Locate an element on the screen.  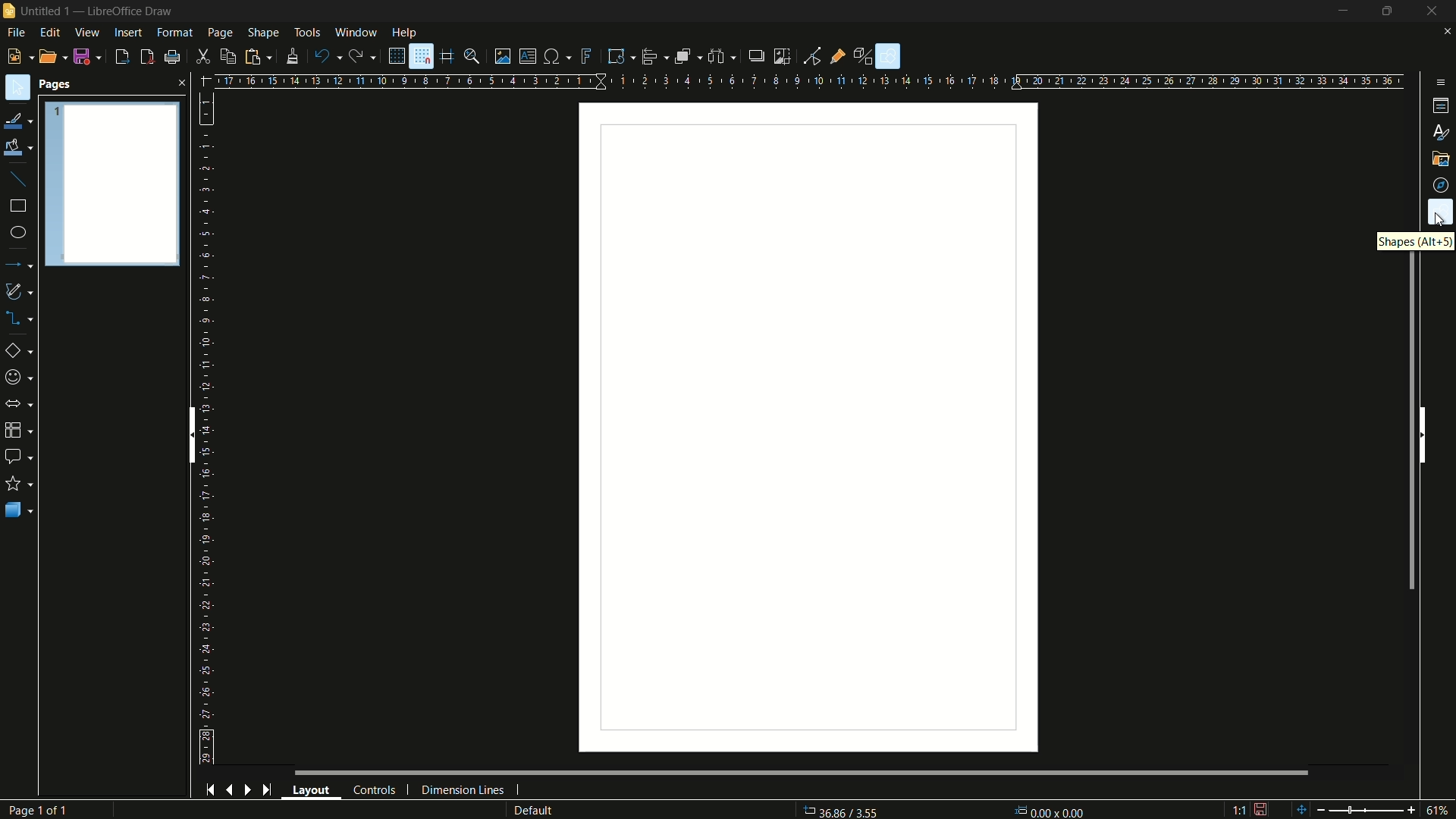
next page is located at coordinates (248, 790).